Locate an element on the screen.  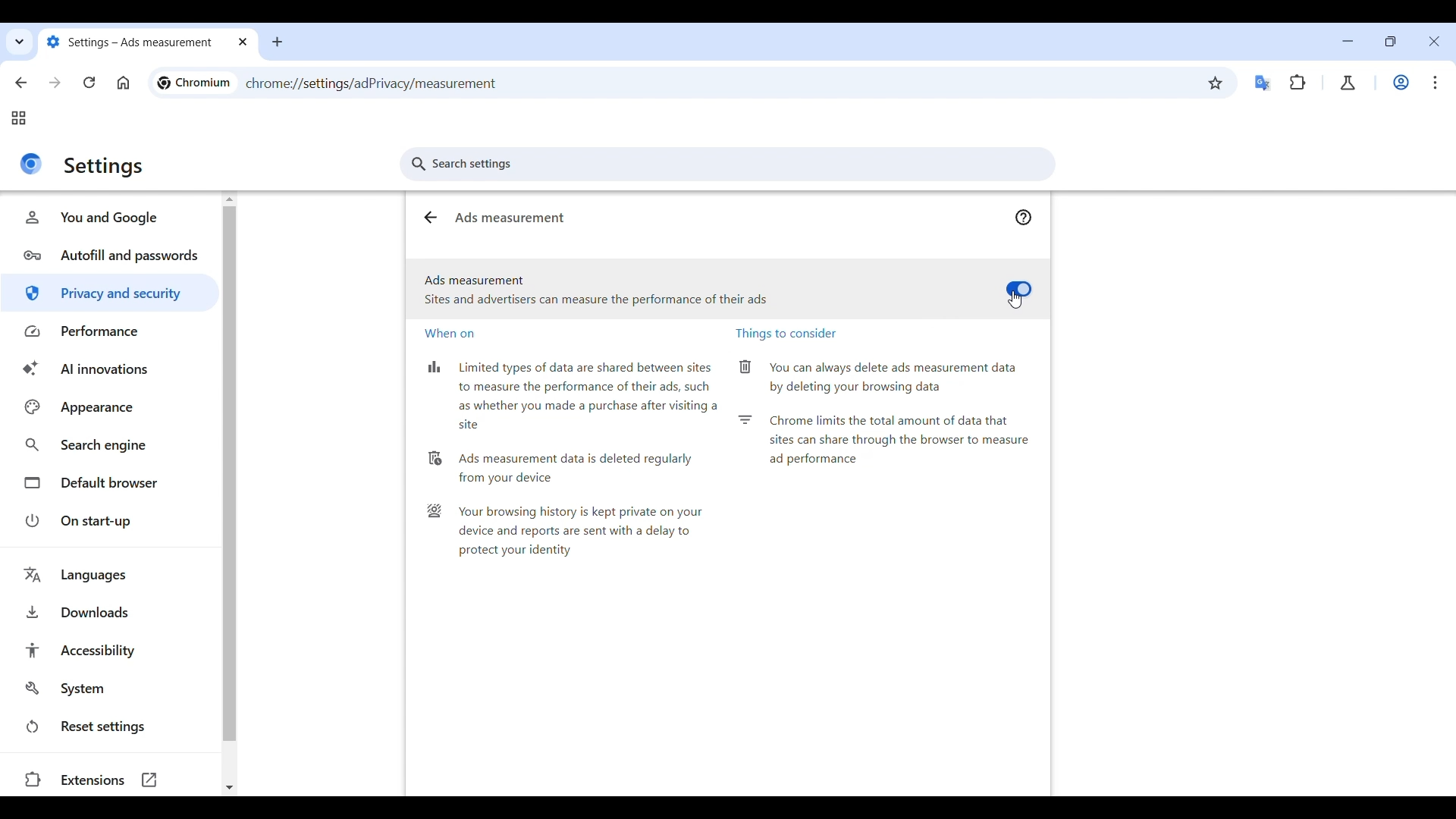
search settings is located at coordinates (734, 167).